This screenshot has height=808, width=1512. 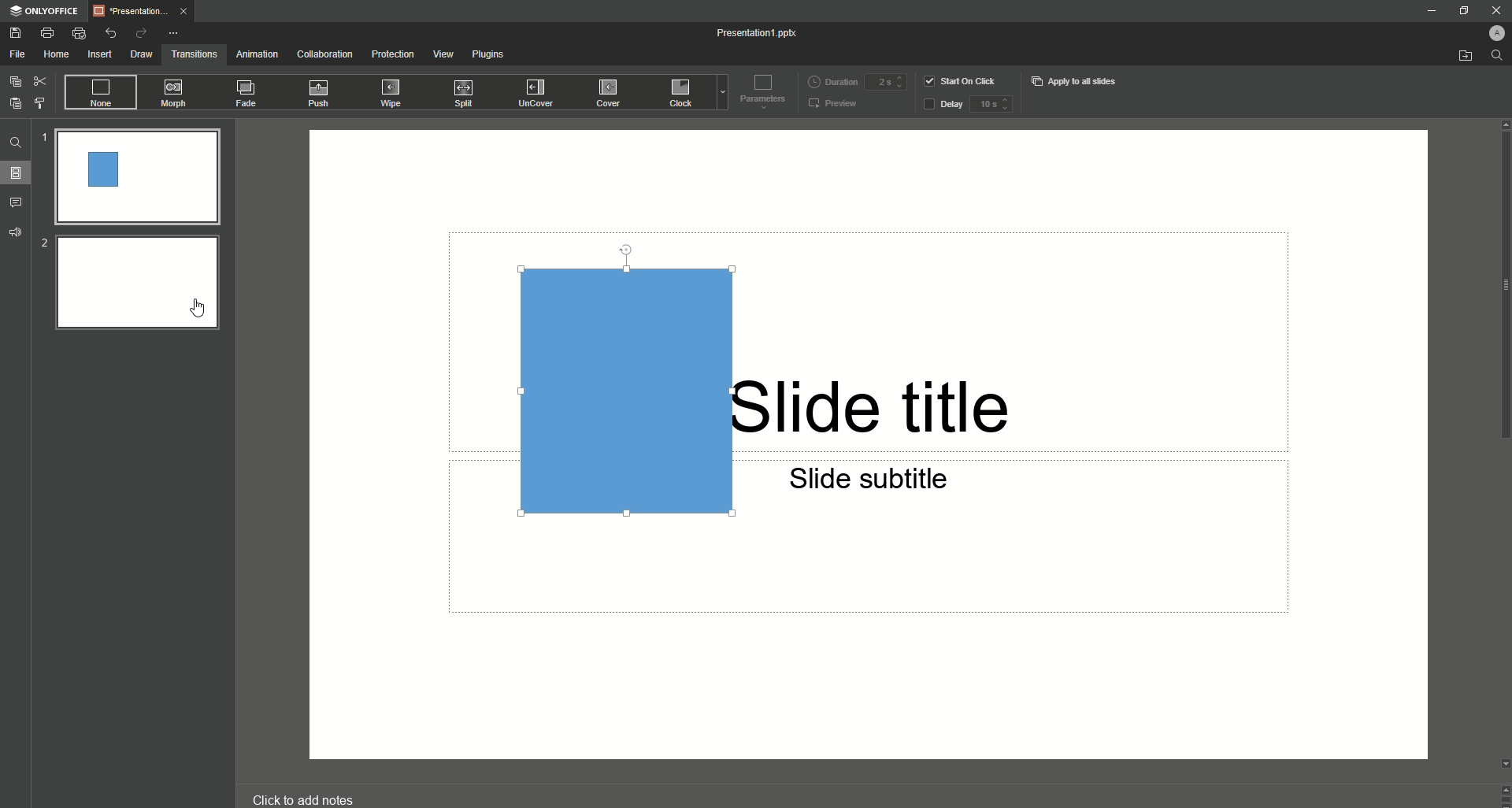 What do you see at coordinates (143, 33) in the screenshot?
I see `Redo` at bounding box center [143, 33].